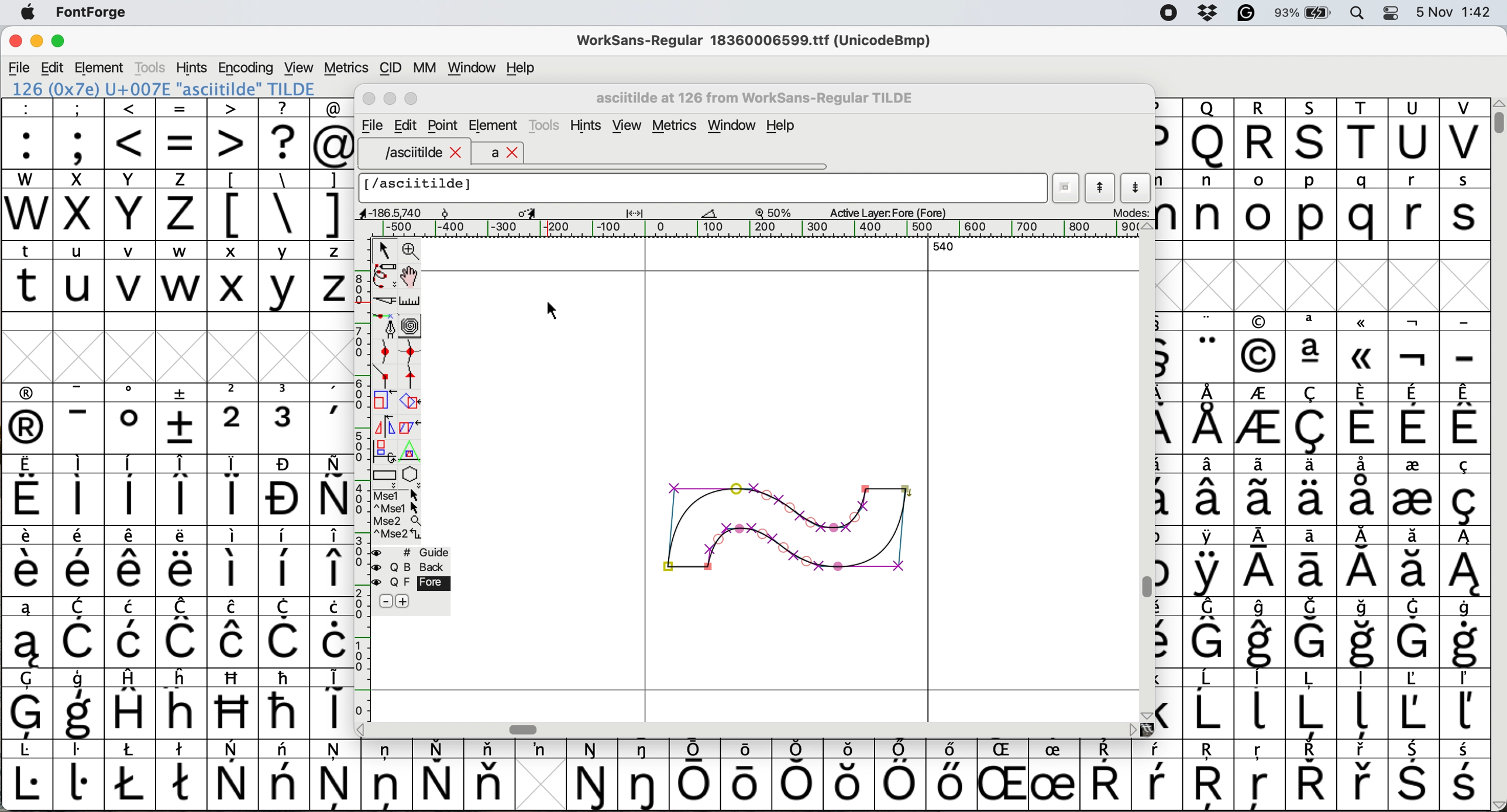 The image size is (1507, 812). I want to click on , so click(1261, 776).